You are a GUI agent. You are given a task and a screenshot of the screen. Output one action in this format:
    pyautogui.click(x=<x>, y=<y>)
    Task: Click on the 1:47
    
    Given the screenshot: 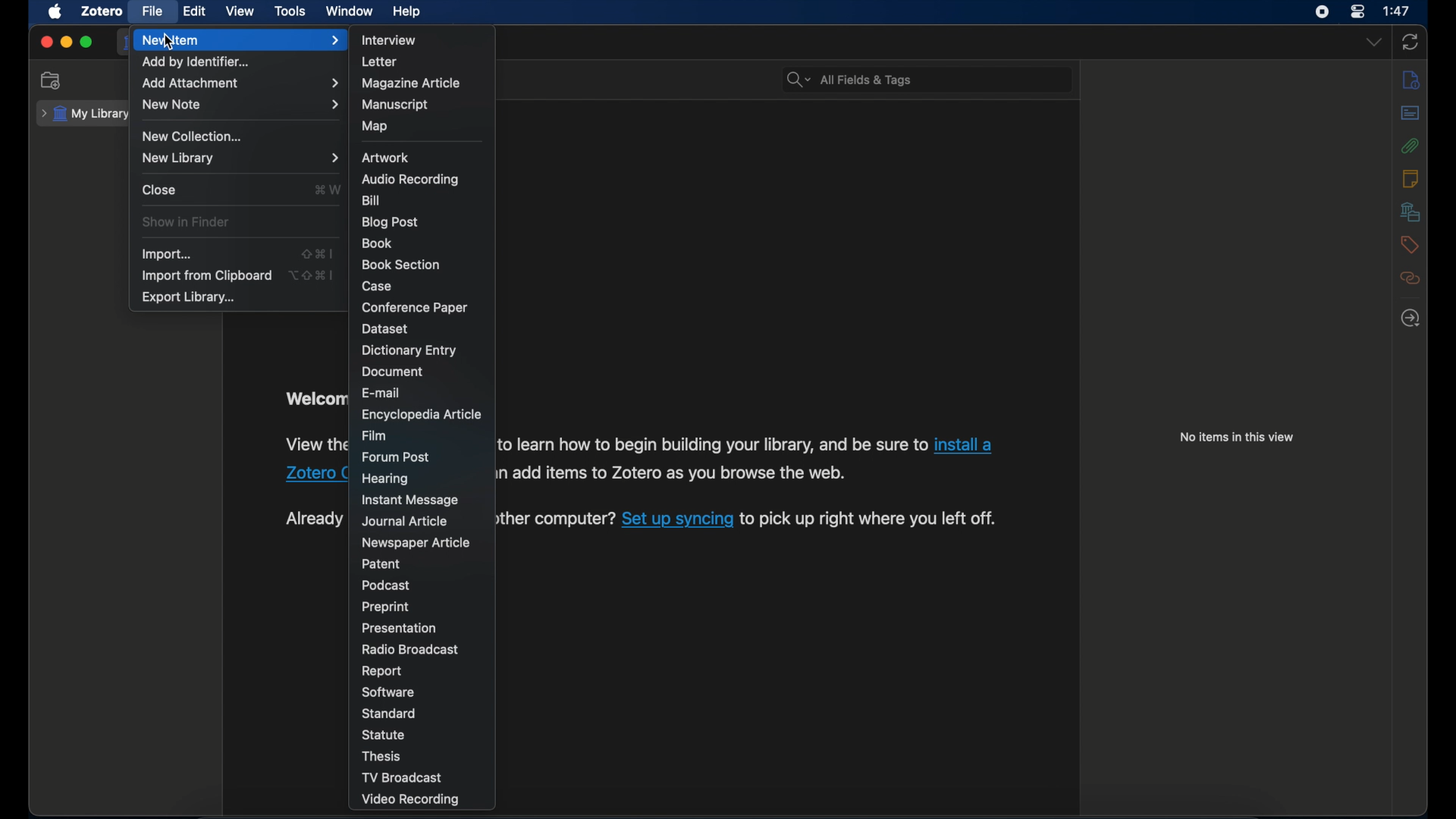 What is the action you would take?
    pyautogui.click(x=1398, y=10)
    